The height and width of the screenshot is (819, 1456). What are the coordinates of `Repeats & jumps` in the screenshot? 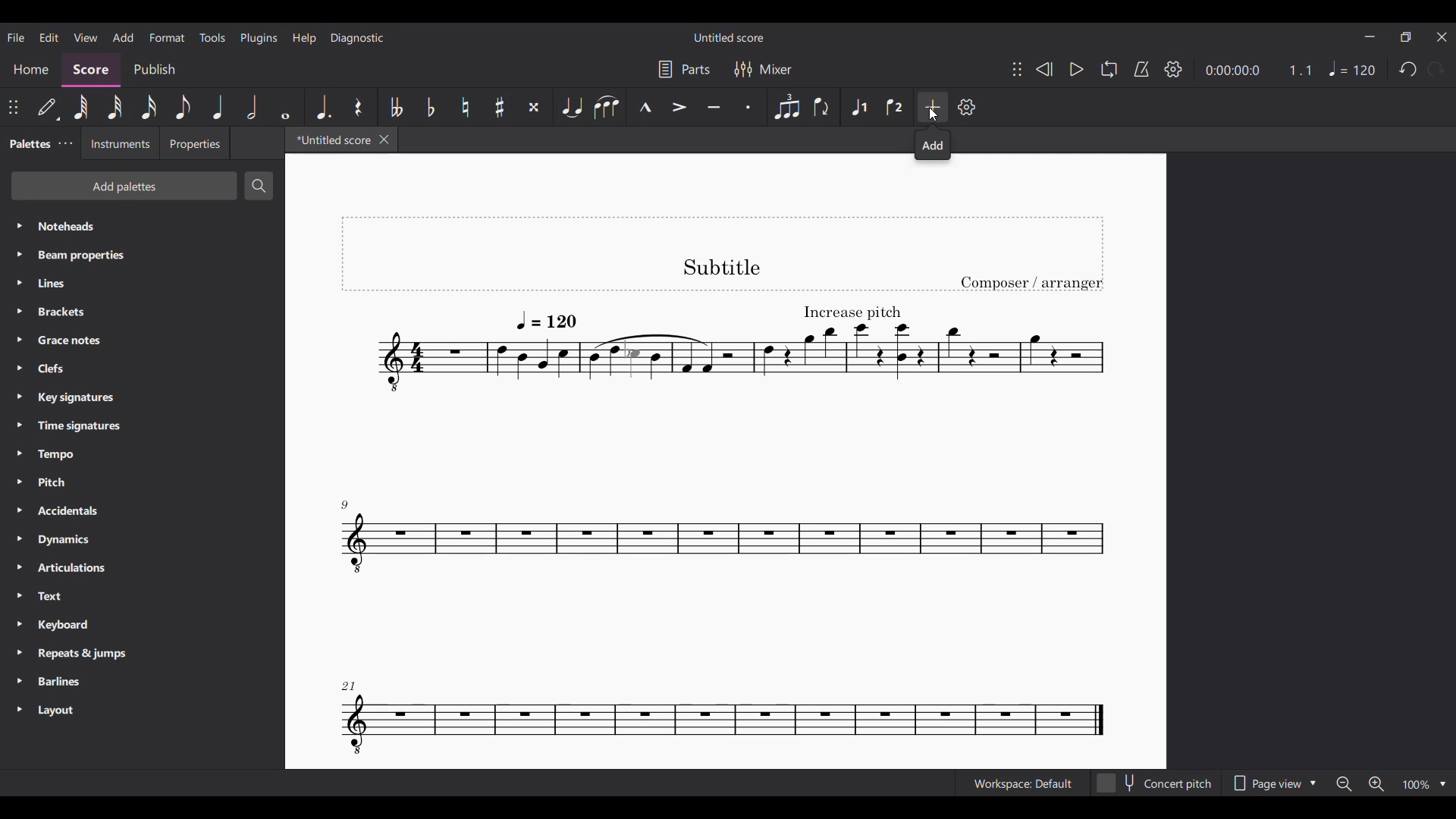 It's located at (143, 654).